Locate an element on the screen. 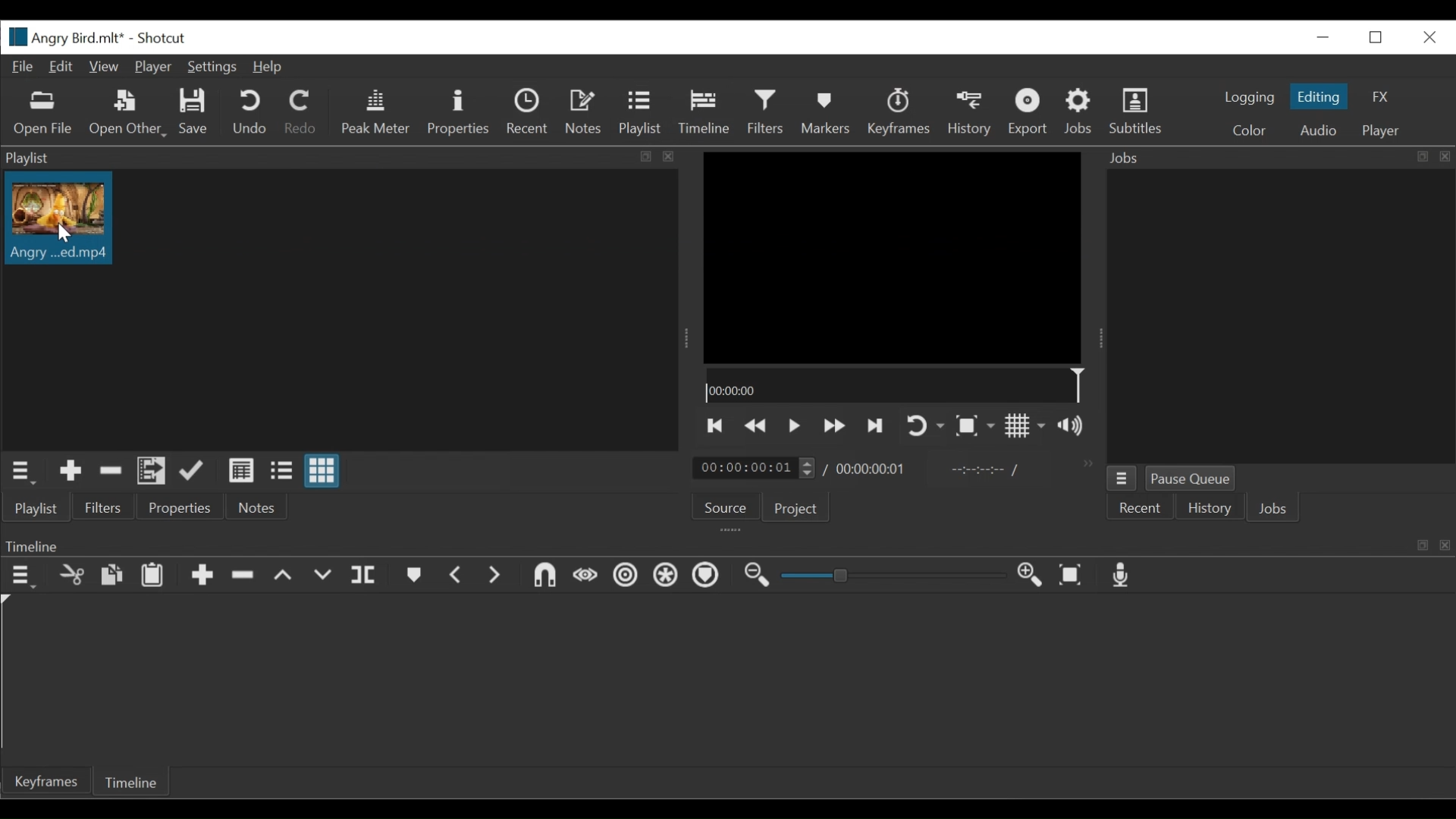 Image resolution: width=1456 pixels, height=819 pixels. Notes is located at coordinates (254, 509).